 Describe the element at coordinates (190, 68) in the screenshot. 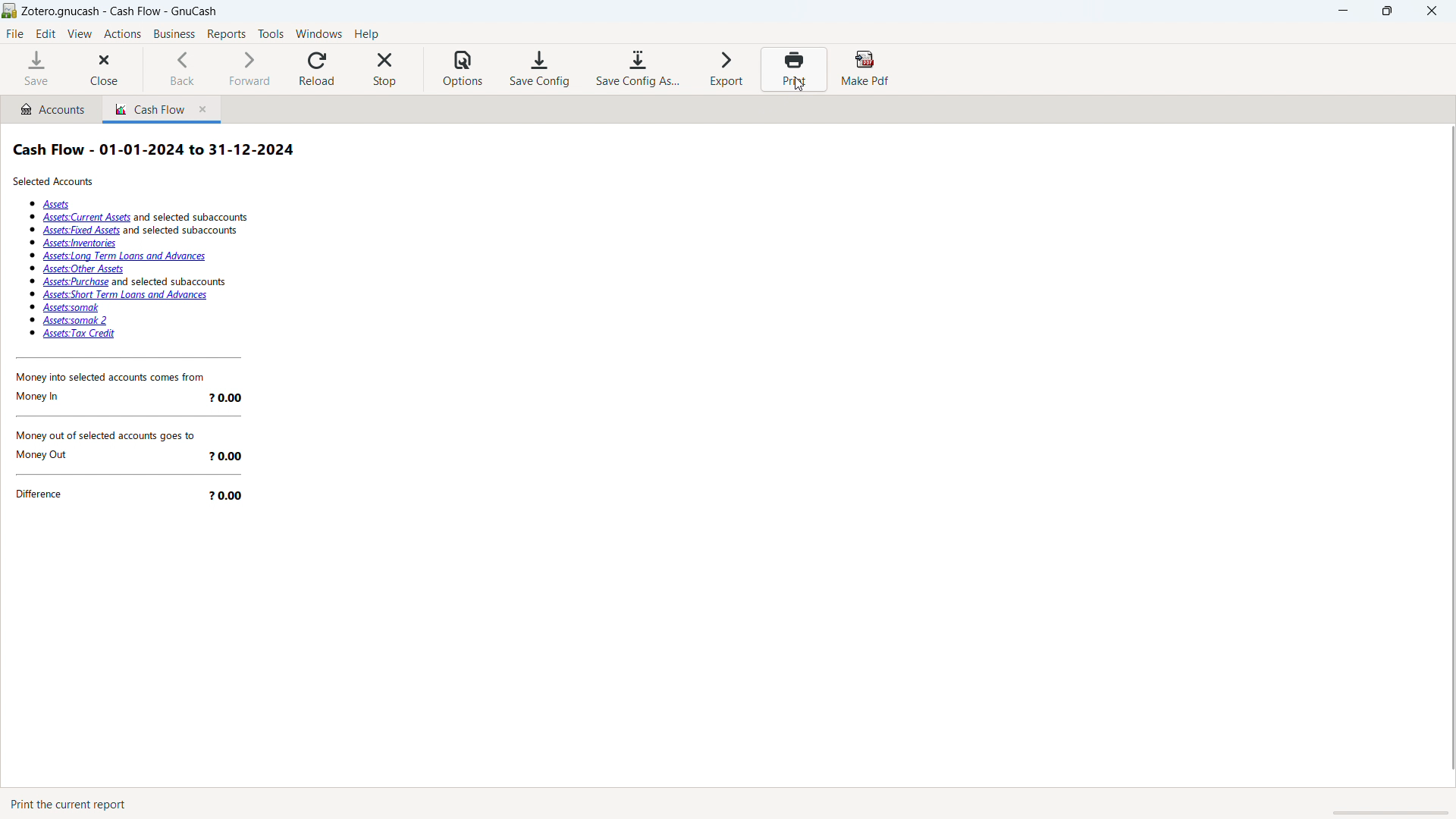

I see `back` at that location.